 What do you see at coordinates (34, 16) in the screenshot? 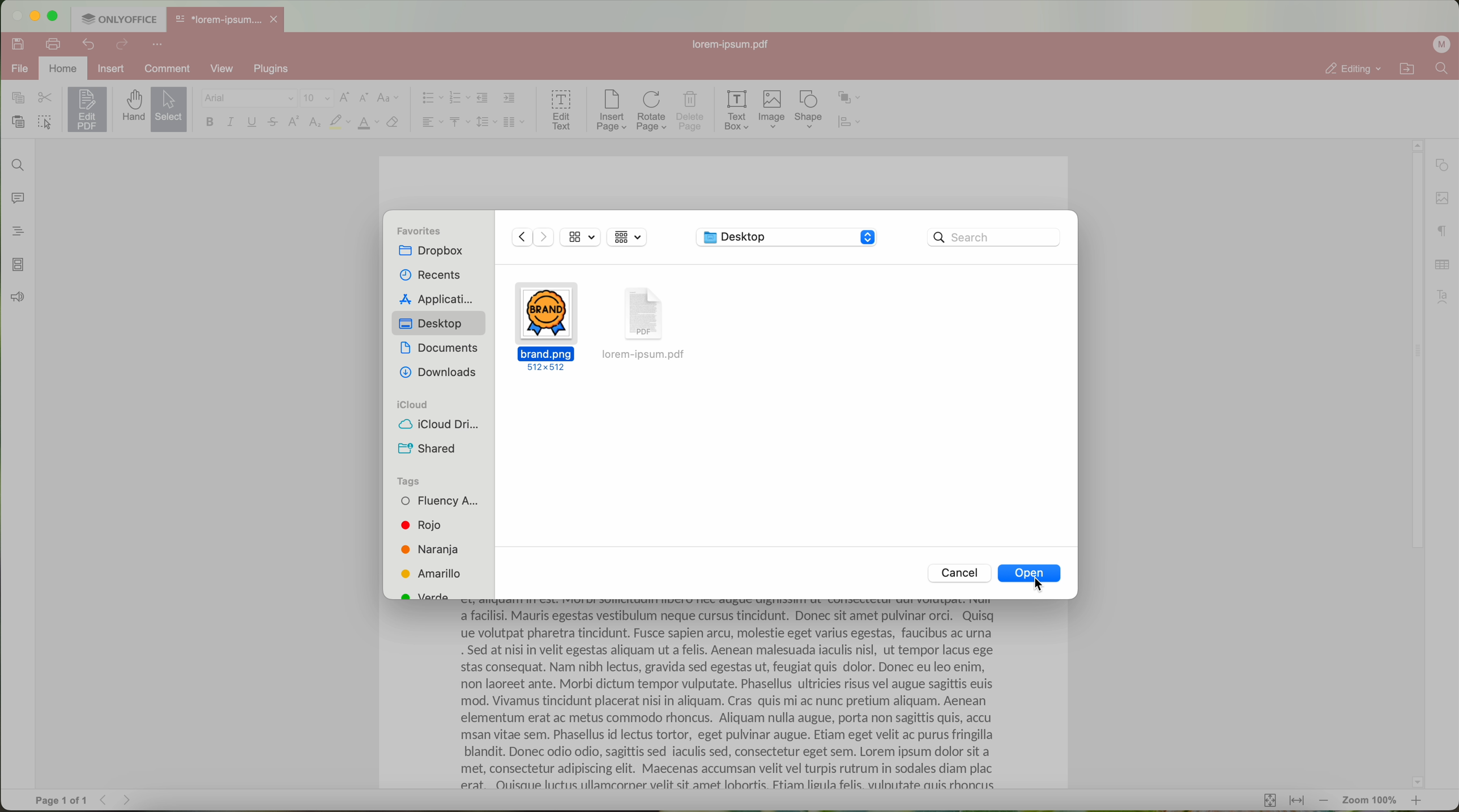
I see `minimize` at bounding box center [34, 16].